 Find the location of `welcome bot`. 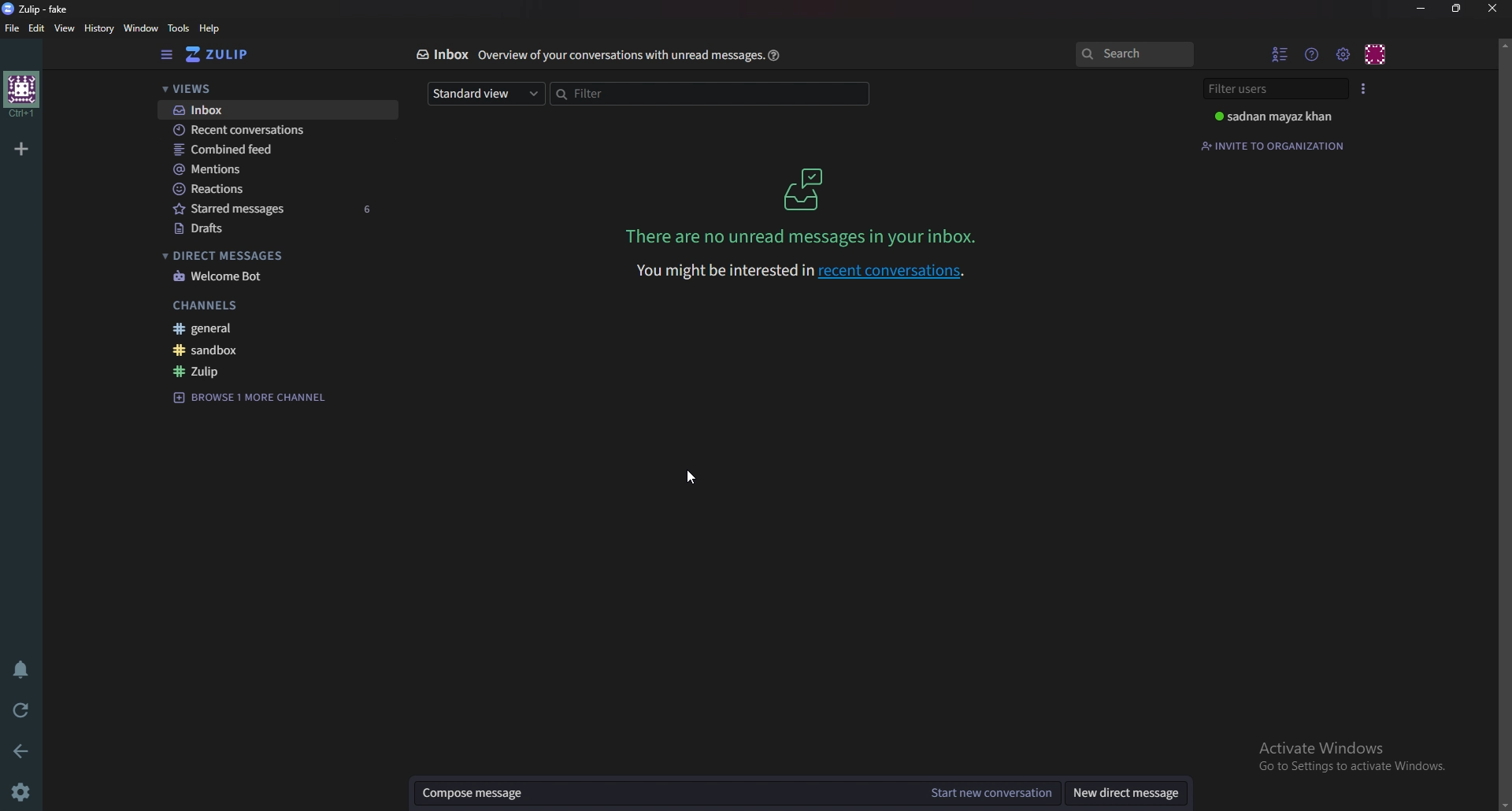

welcome bot is located at coordinates (265, 278).